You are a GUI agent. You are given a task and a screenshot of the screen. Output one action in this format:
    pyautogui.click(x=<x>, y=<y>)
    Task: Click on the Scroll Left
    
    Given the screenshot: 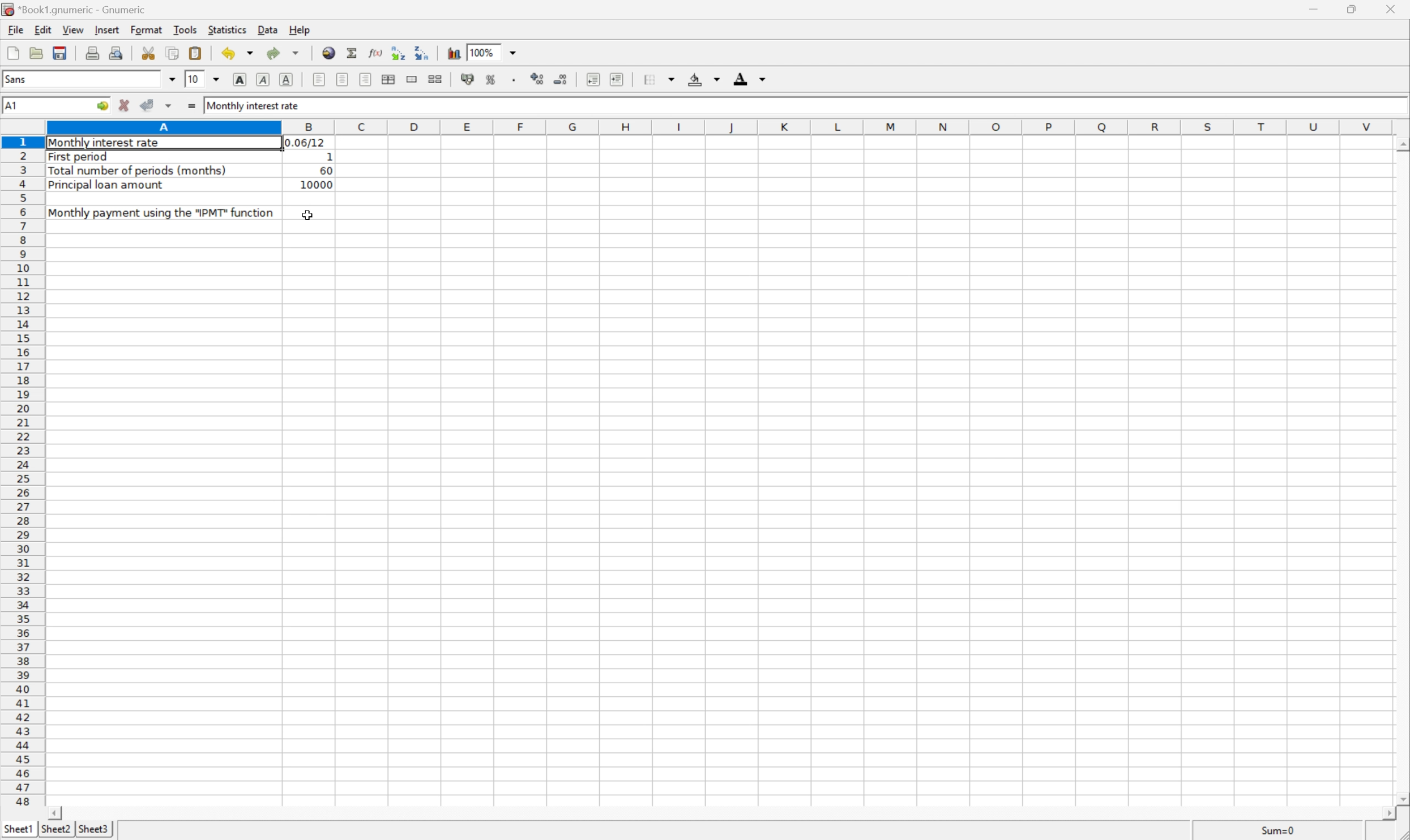 What is the action you would take?
    pyautogui.click(x=57, y=812)
    